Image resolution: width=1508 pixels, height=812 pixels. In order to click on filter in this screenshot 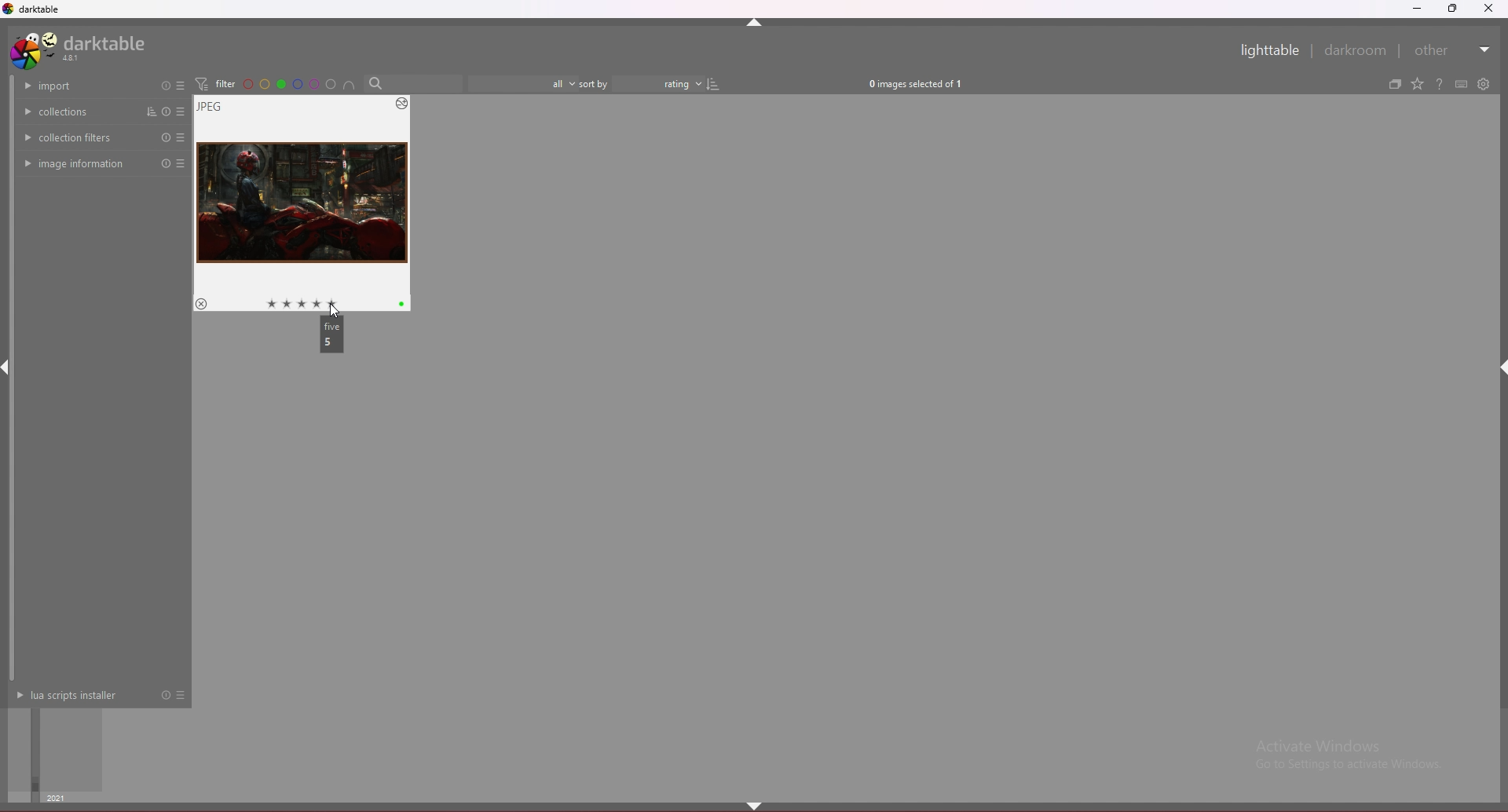, I will do `click(216, 85)`.